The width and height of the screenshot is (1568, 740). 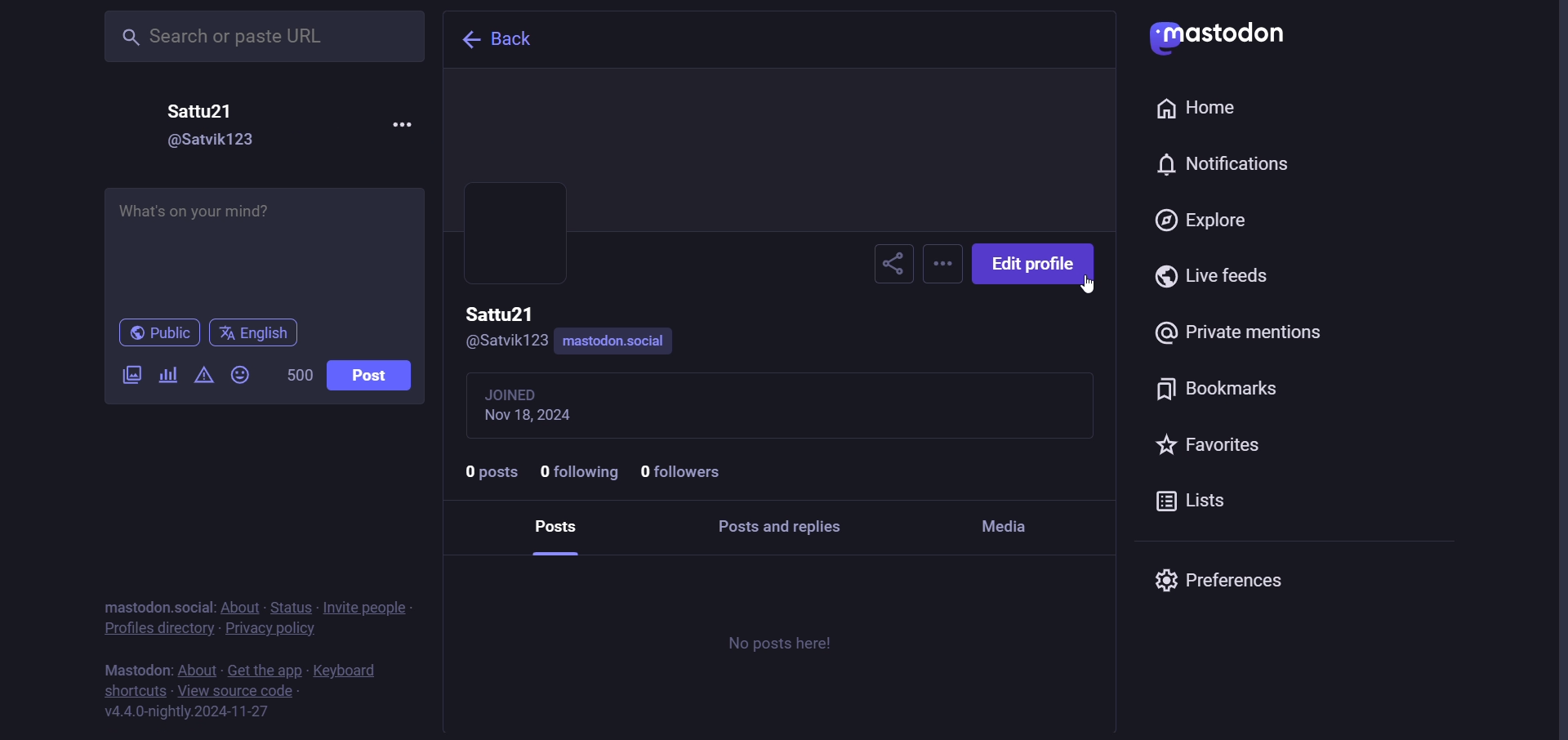 What do you see at coordinates (240, 606) in the screenshot?
I see `about` at bounding box center [240, 606].